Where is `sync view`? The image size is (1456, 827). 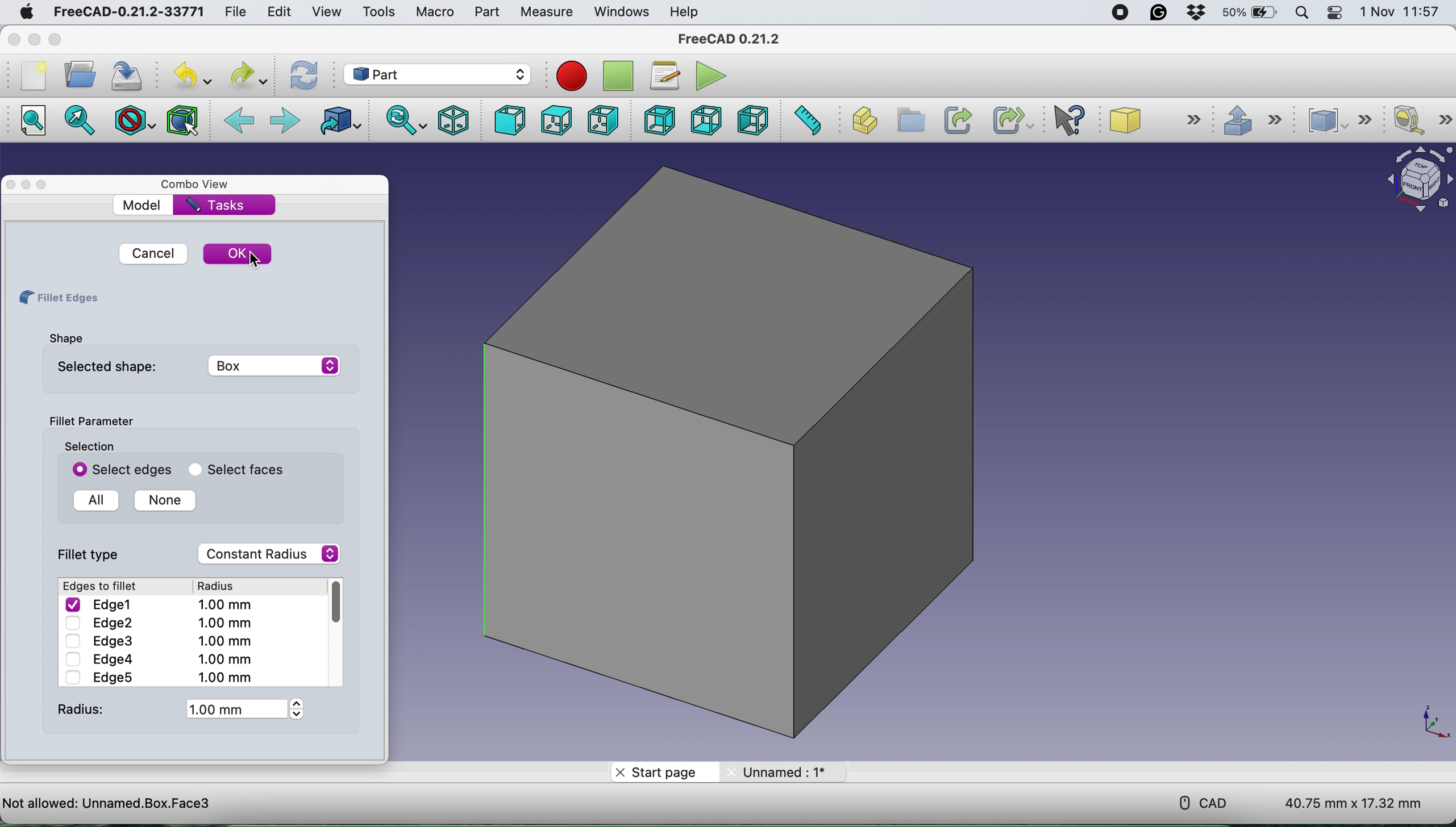 sync view is located at coordinates (402, 121).